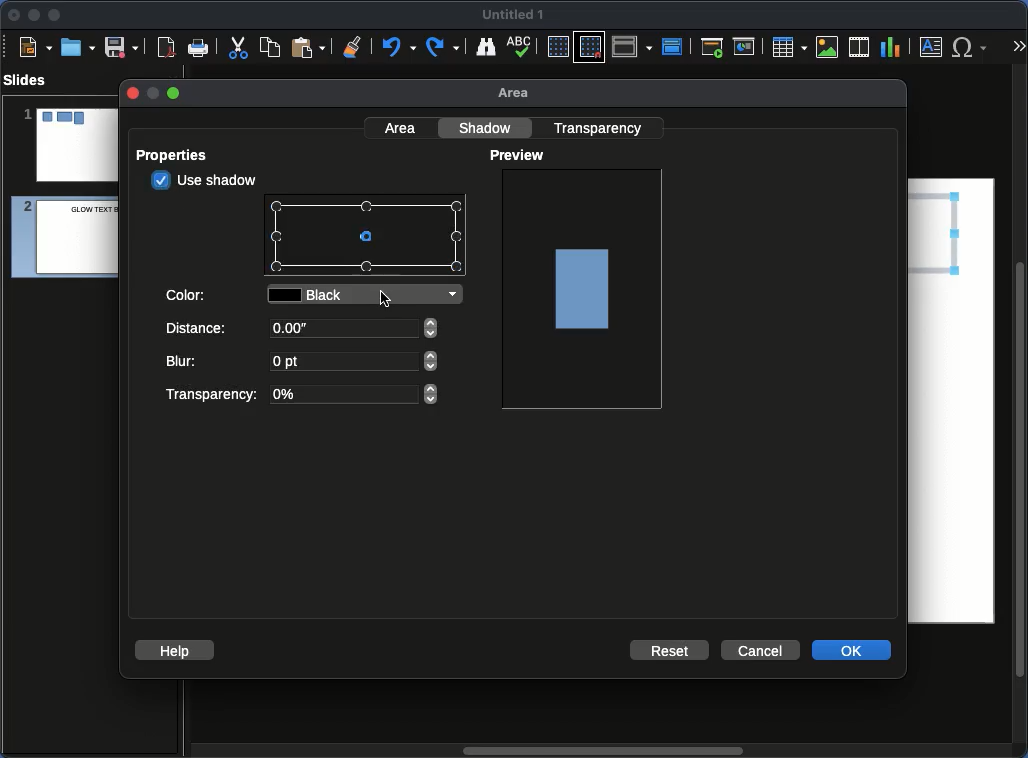 This screenshot has height=758, width=1028. What do you see at coordinates (397, 47) in the screenshot?
I see `Undo` at bounding box center [397, 47].